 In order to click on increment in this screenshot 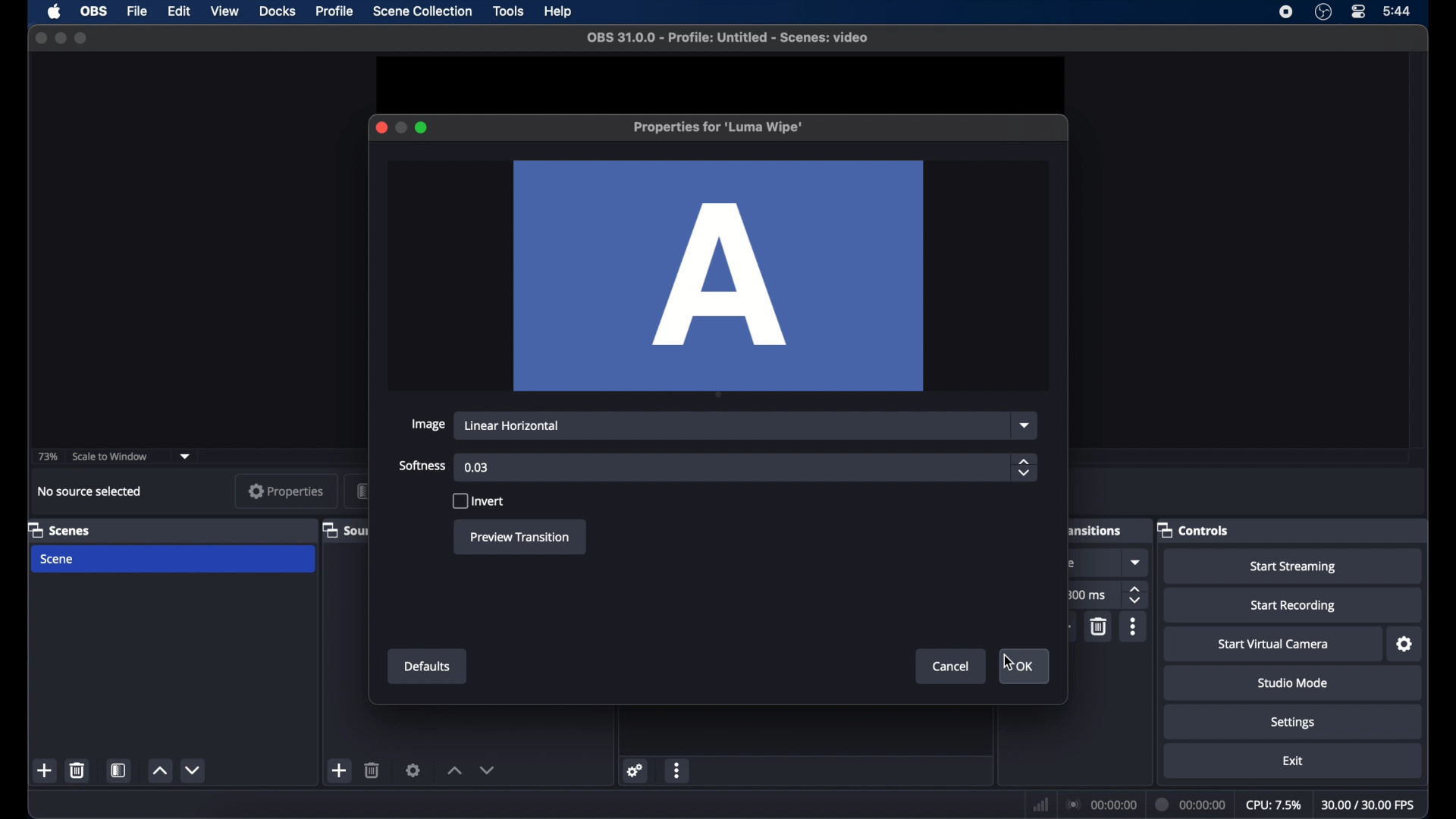, I will do `click(455, 770)`.